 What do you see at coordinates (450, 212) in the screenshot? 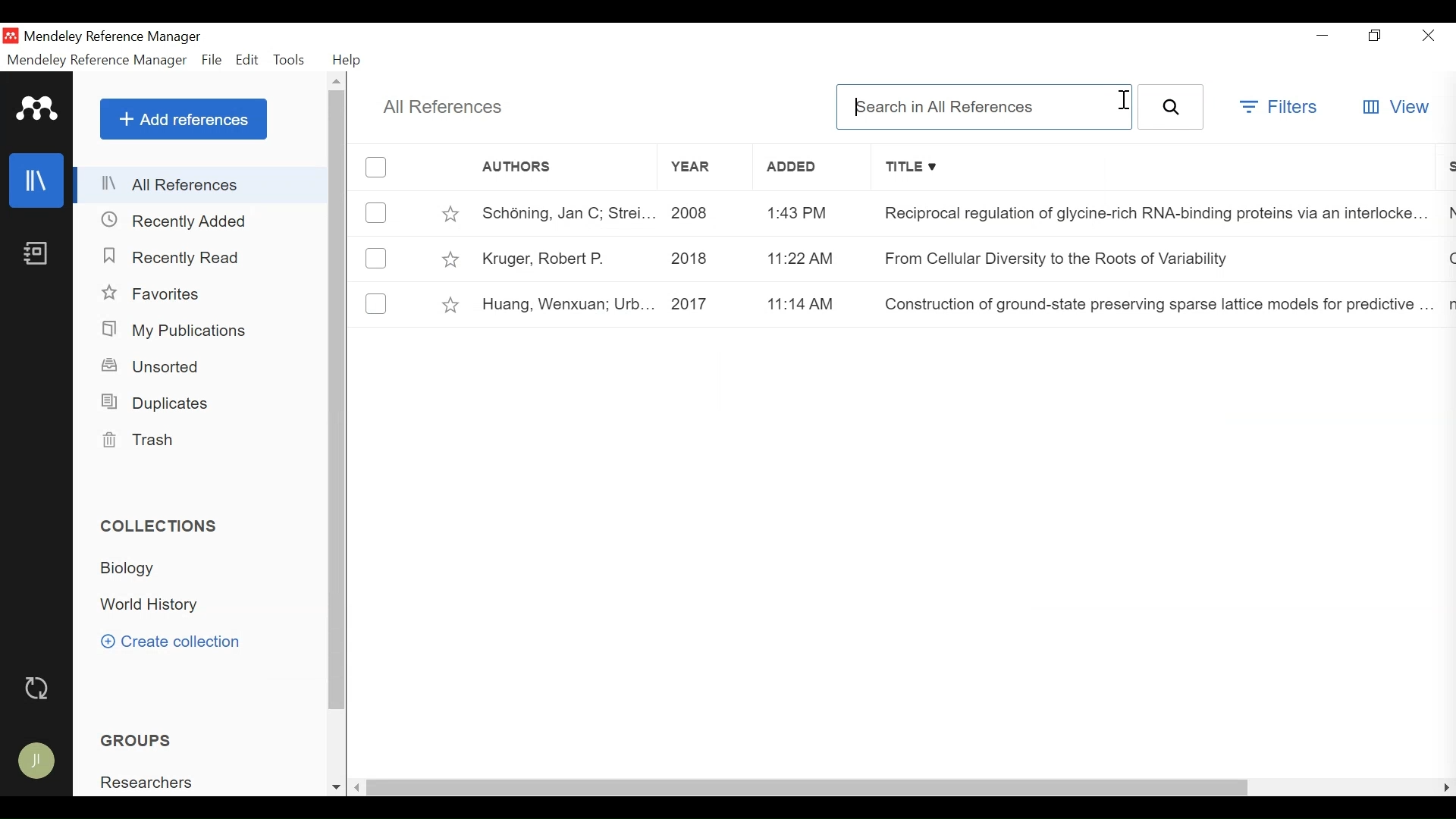
I see `Toggle Favorites` at bounding box center [450, 212].